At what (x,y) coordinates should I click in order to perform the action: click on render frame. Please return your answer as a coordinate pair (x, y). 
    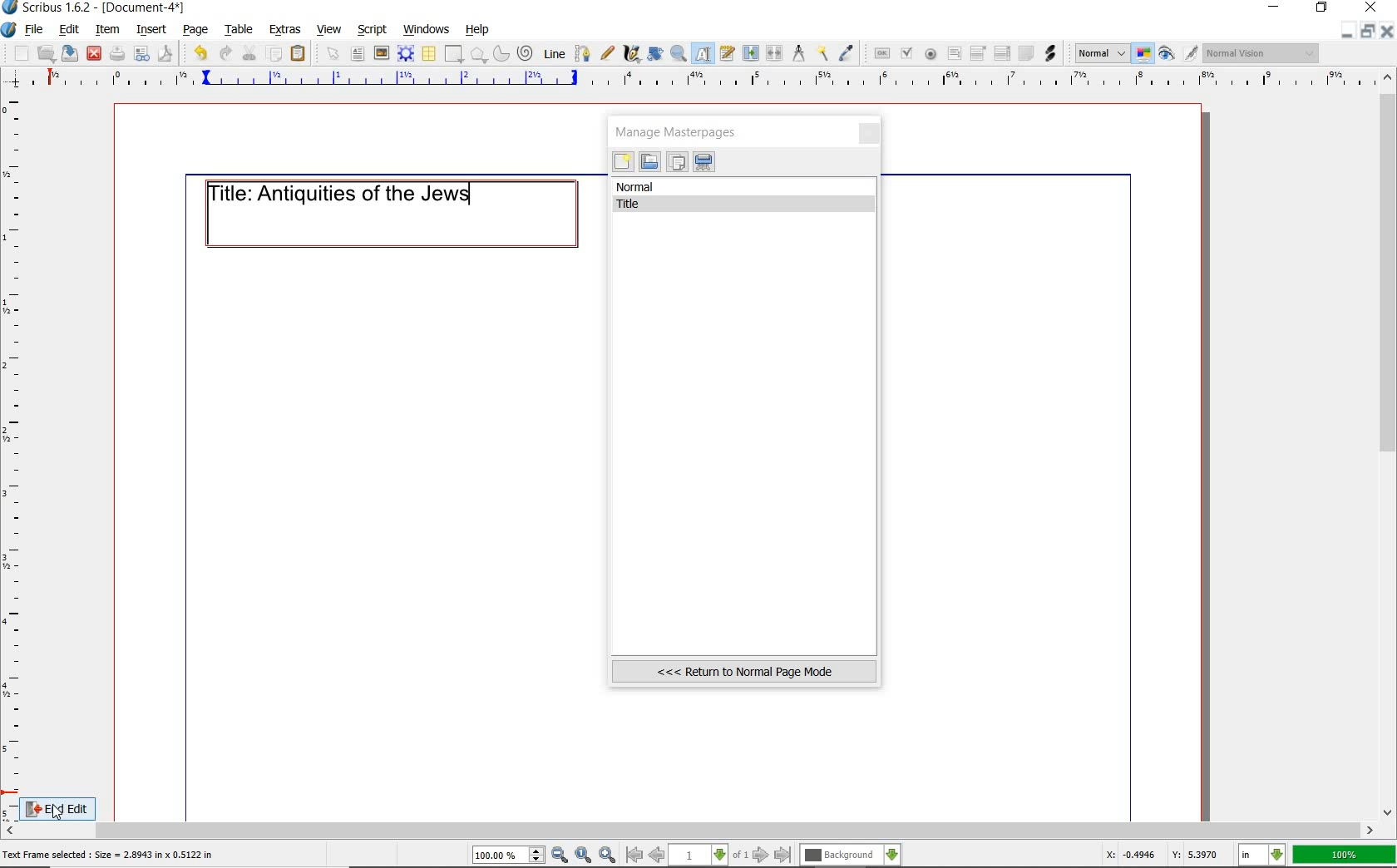
    Looking at the image, I should click on (406, 53).